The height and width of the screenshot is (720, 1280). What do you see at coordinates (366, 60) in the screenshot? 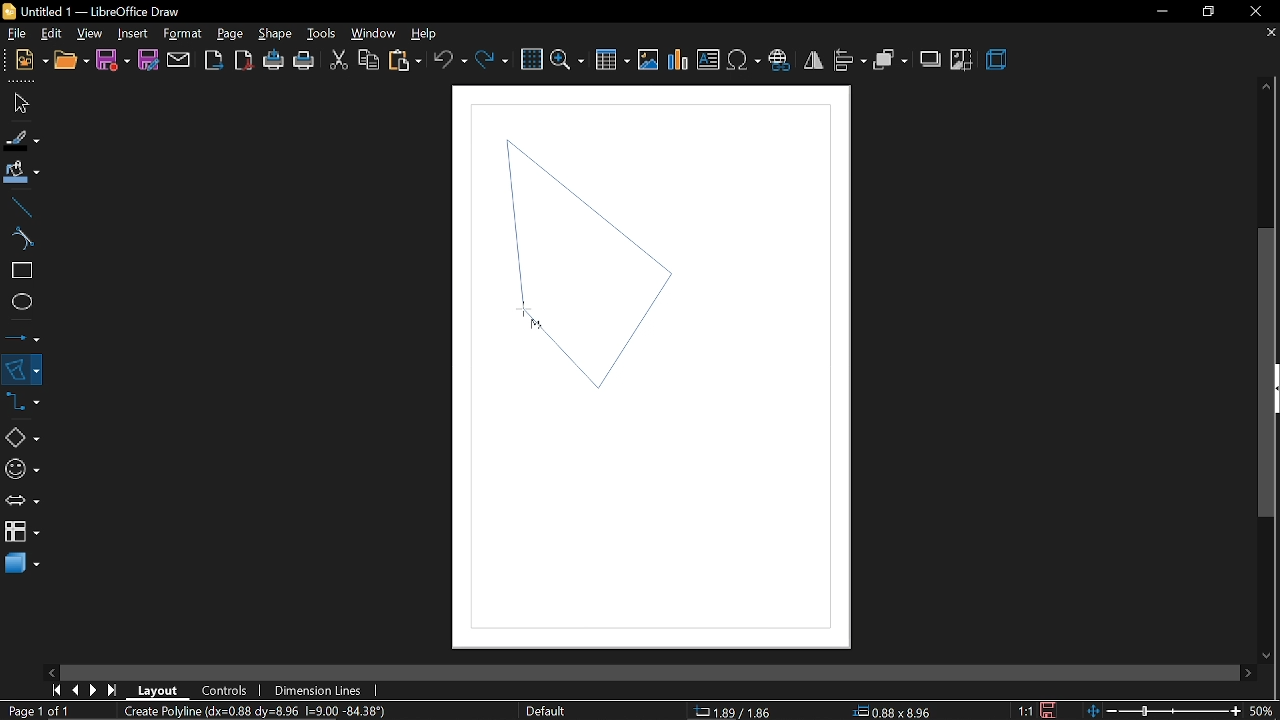
I see `copy` at bounding box center [366, 60].